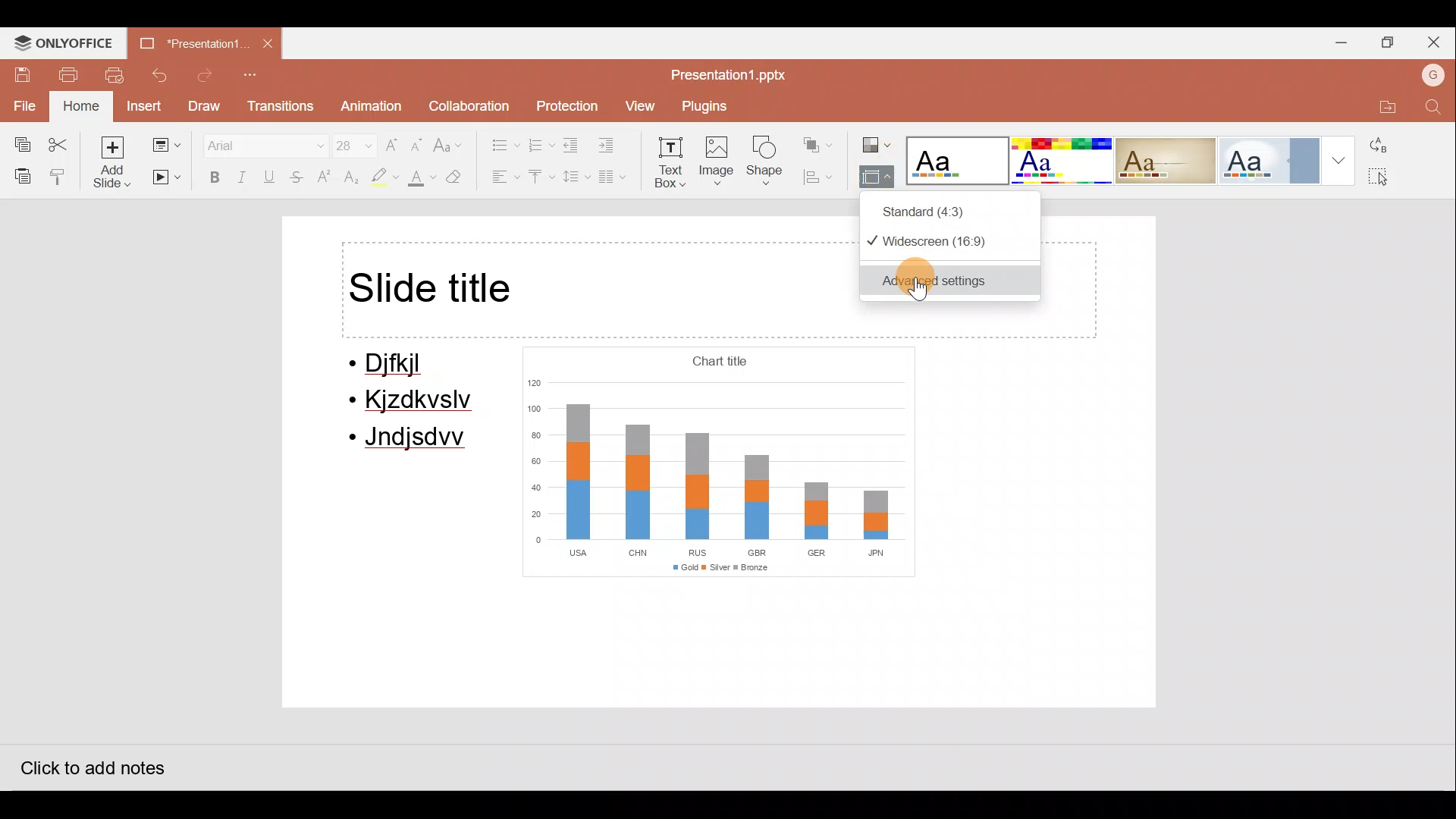 The width and height of the screenshot is (1456, 819). What do you see at coordinates (19, 175) in the screenshot?
I see `Paste` at bounding box center [19, 175].